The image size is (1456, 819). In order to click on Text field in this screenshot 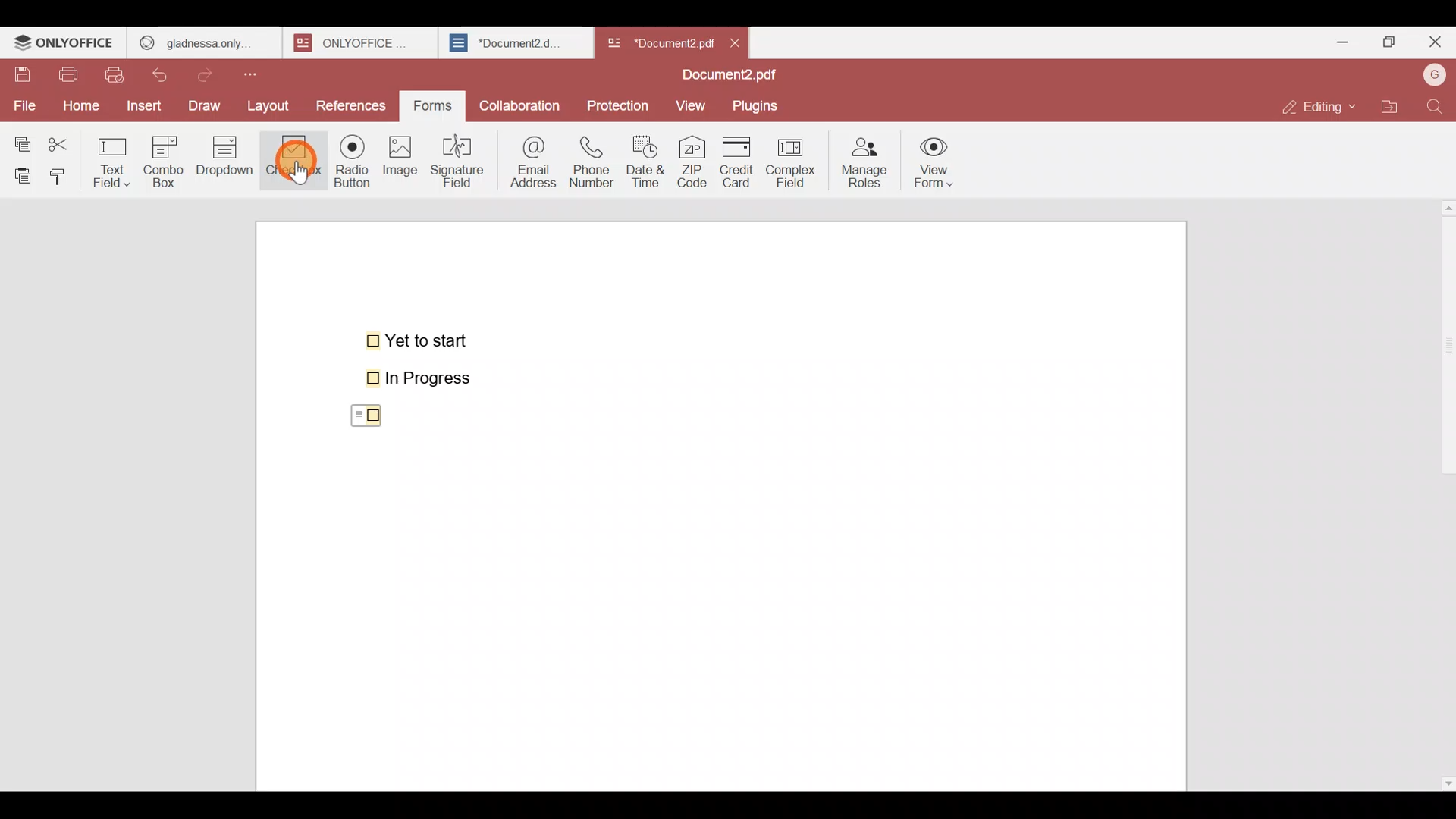, I will do `click(115, 158)`.